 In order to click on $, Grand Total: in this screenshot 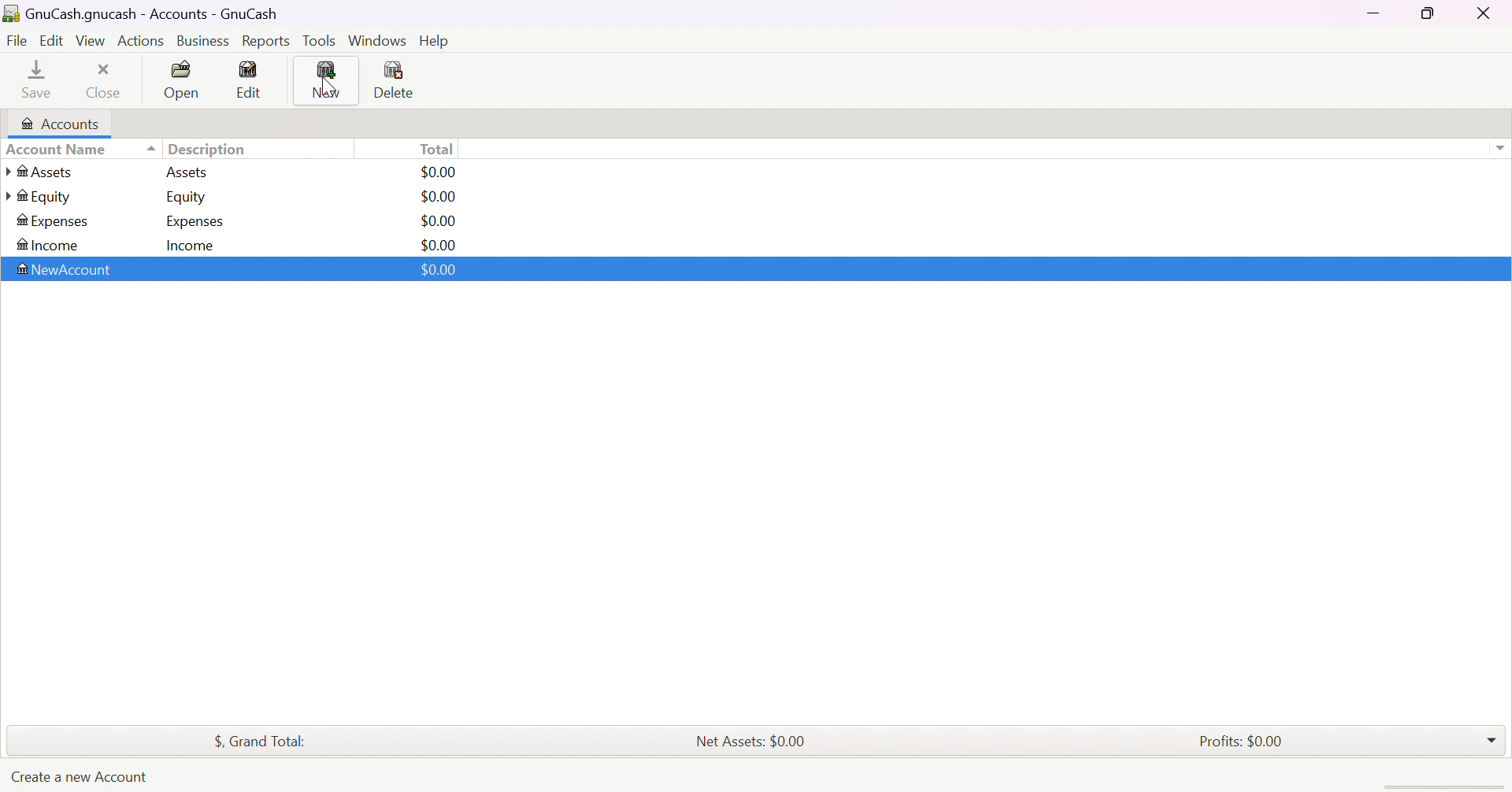, I will do `click(258, 741)`.